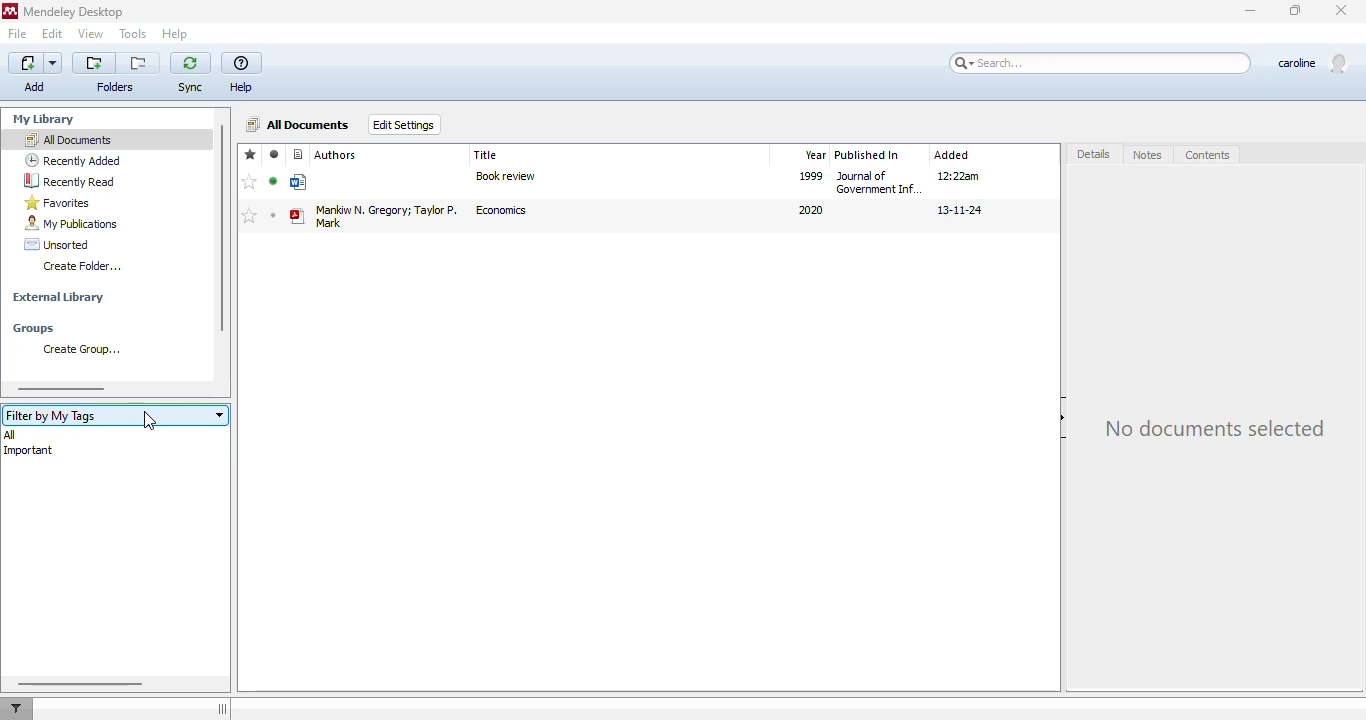  Describe the element at coordinates (1341, 9) in the screenshot. I see `close` at that location.